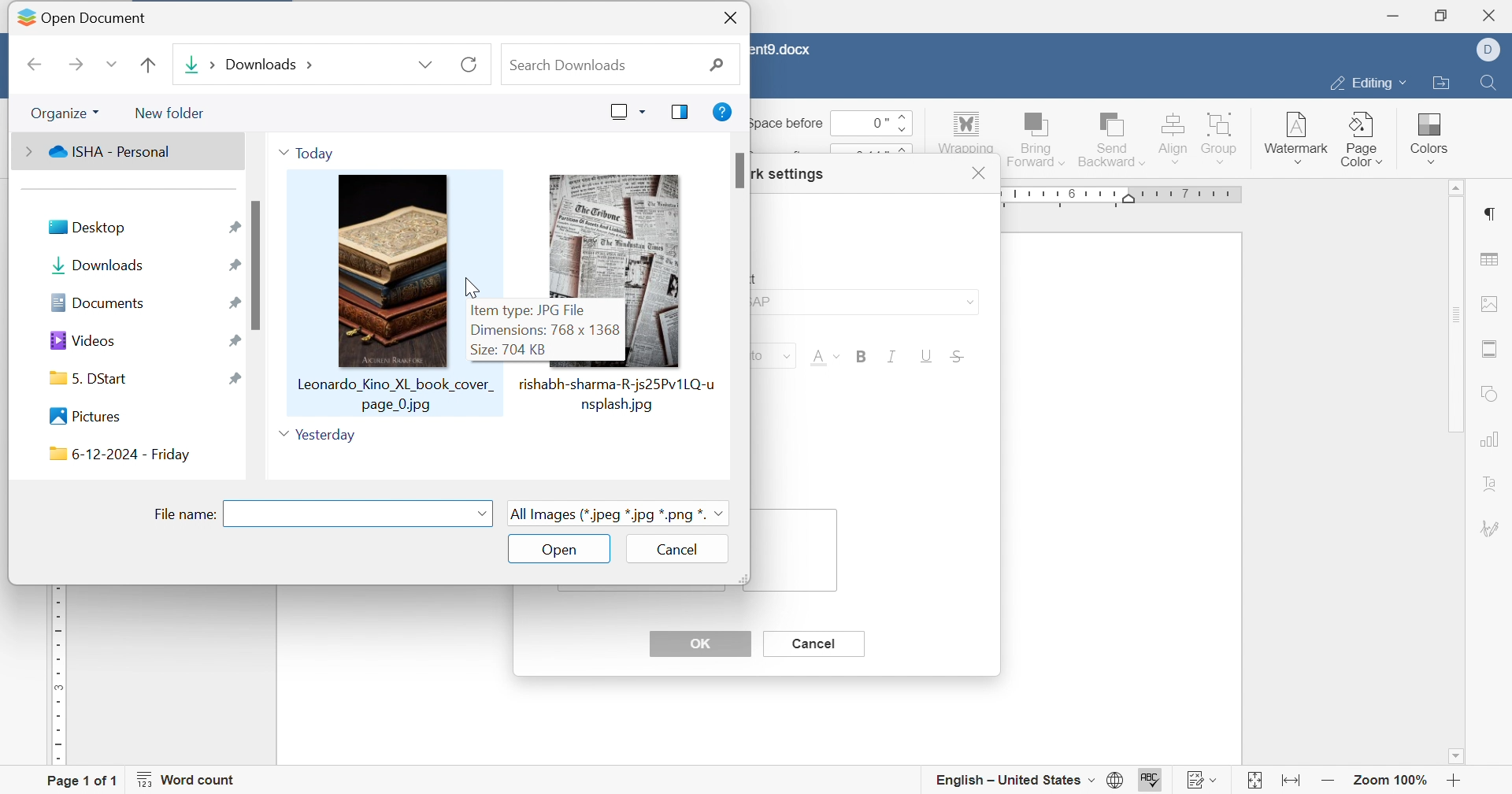  I want to click on find, so click(1487, 80).